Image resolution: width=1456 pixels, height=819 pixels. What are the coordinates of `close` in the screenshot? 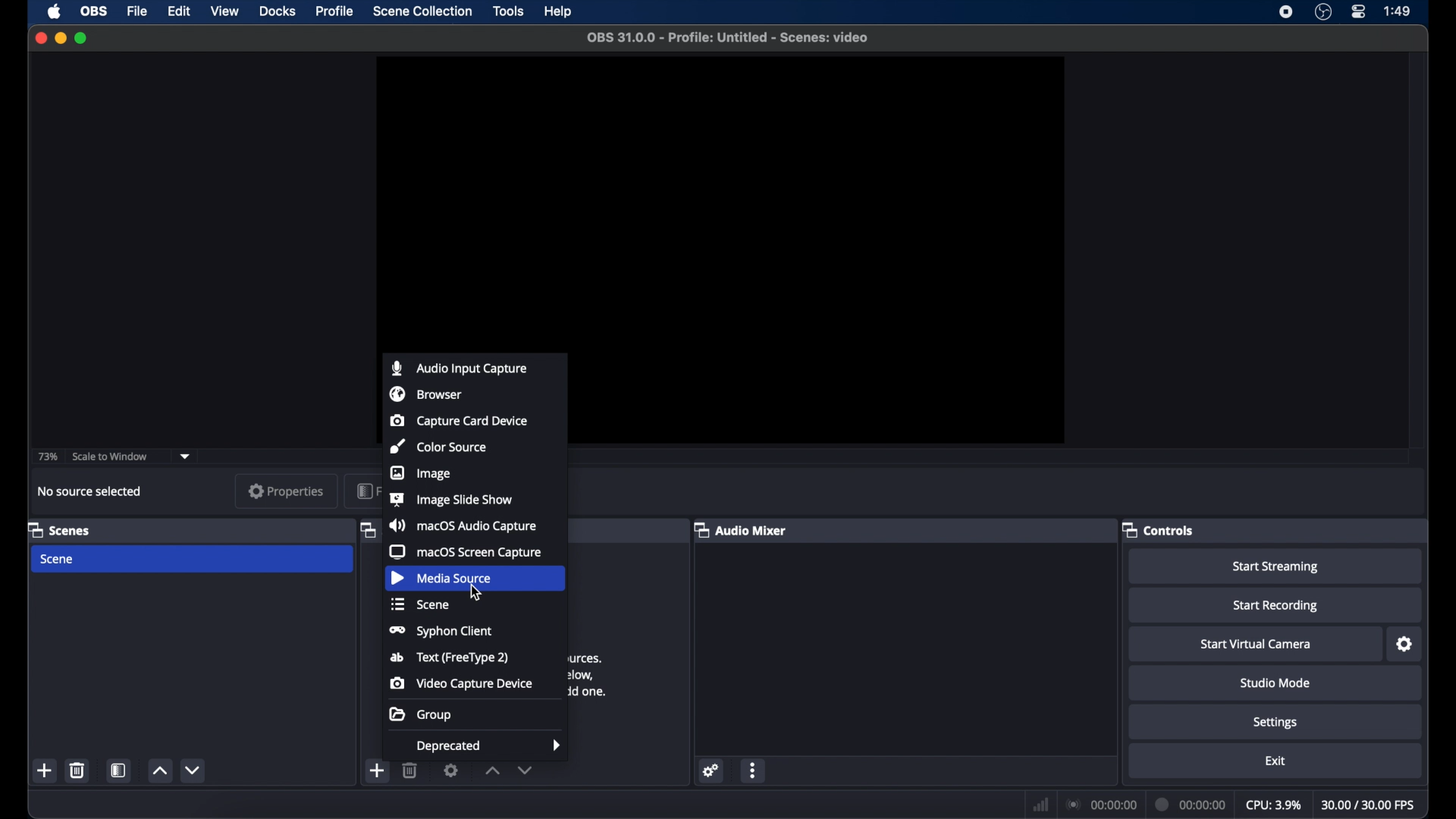 It's located at (40, 38).